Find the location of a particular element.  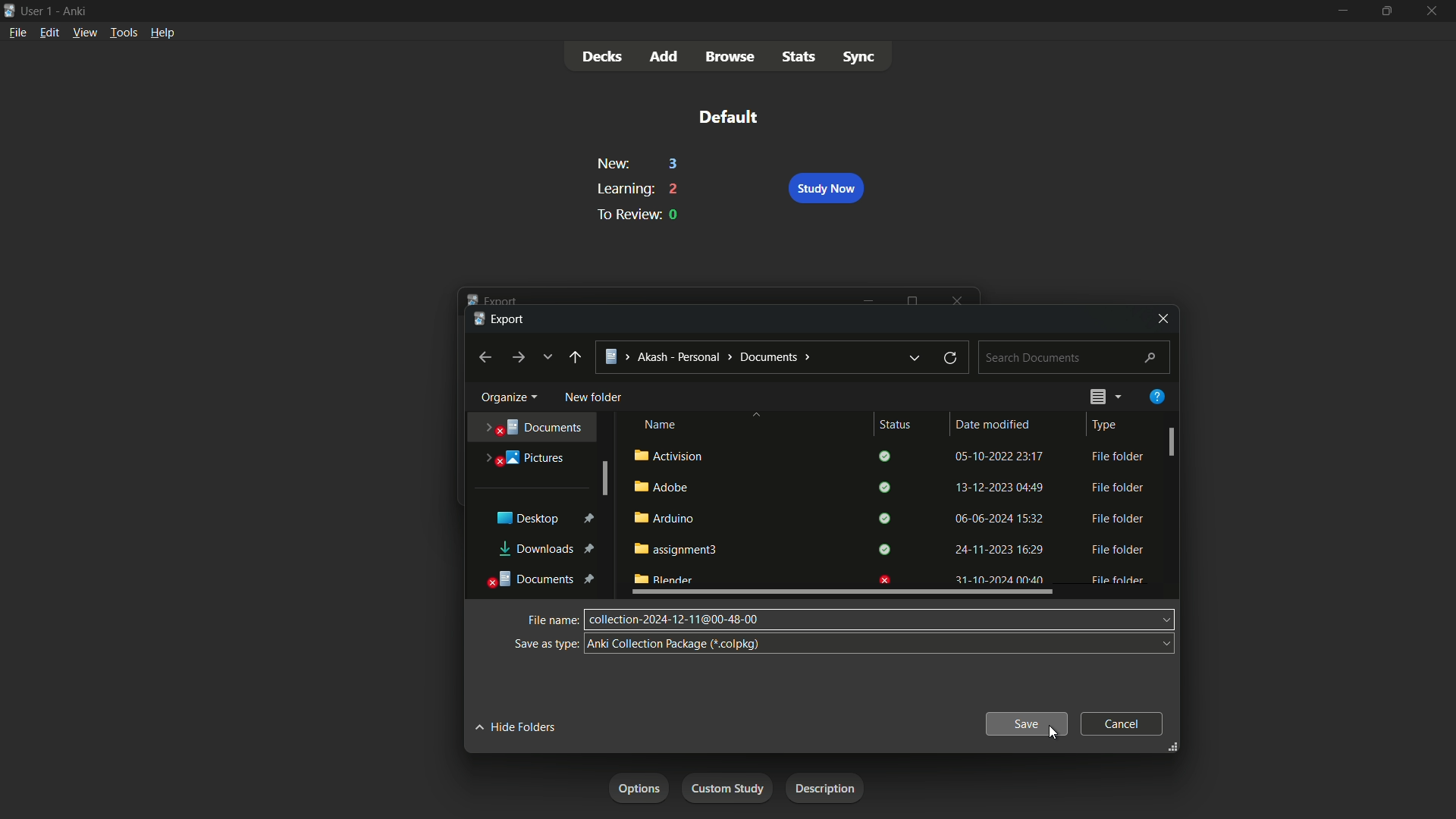

export is located at coordinates (500, 320).